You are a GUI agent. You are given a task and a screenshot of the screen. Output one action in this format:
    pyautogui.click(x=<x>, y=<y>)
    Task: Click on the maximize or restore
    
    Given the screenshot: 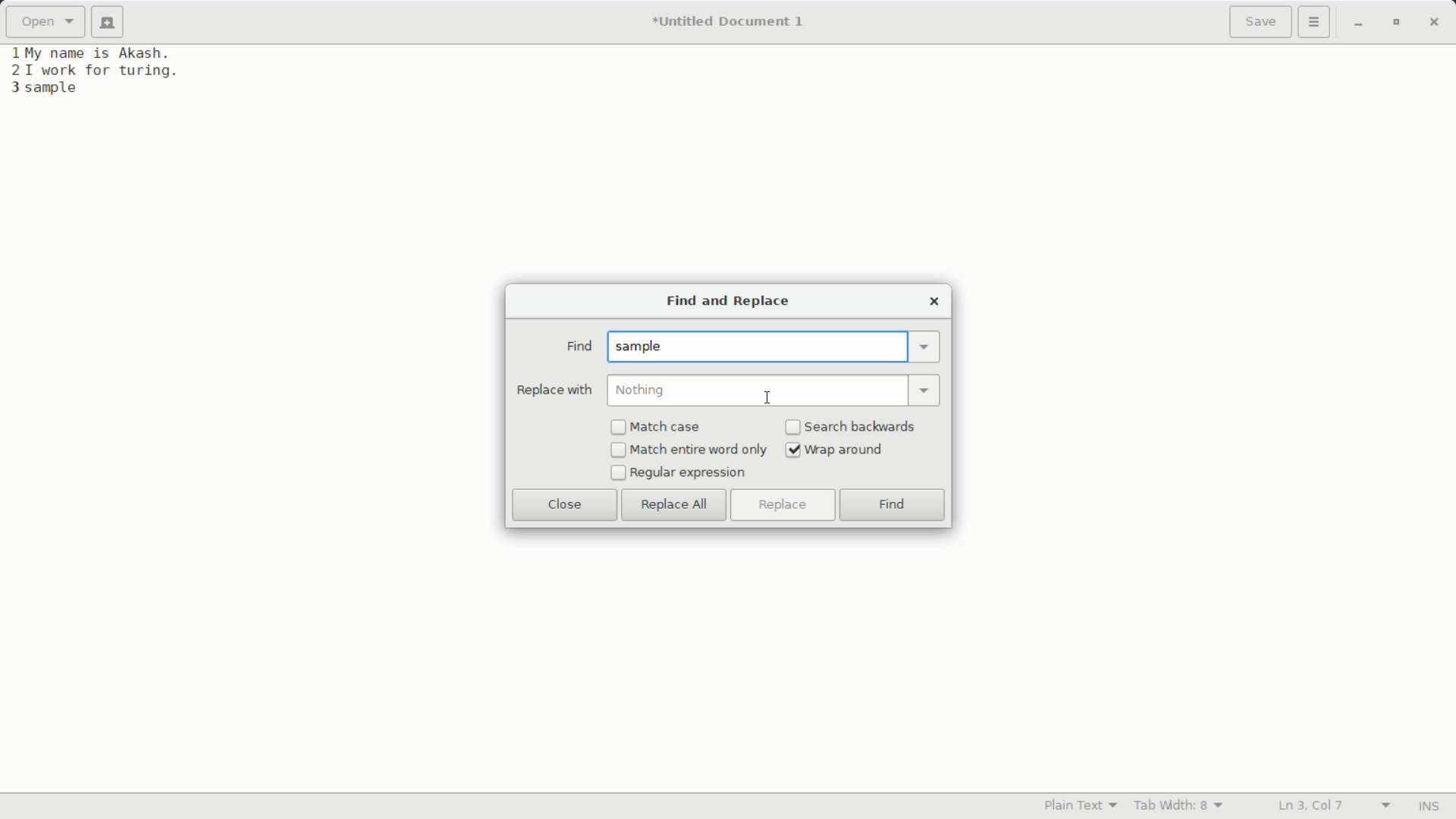 What is the action you would take?
    pyautogui.click(x=1395, y=23)
    